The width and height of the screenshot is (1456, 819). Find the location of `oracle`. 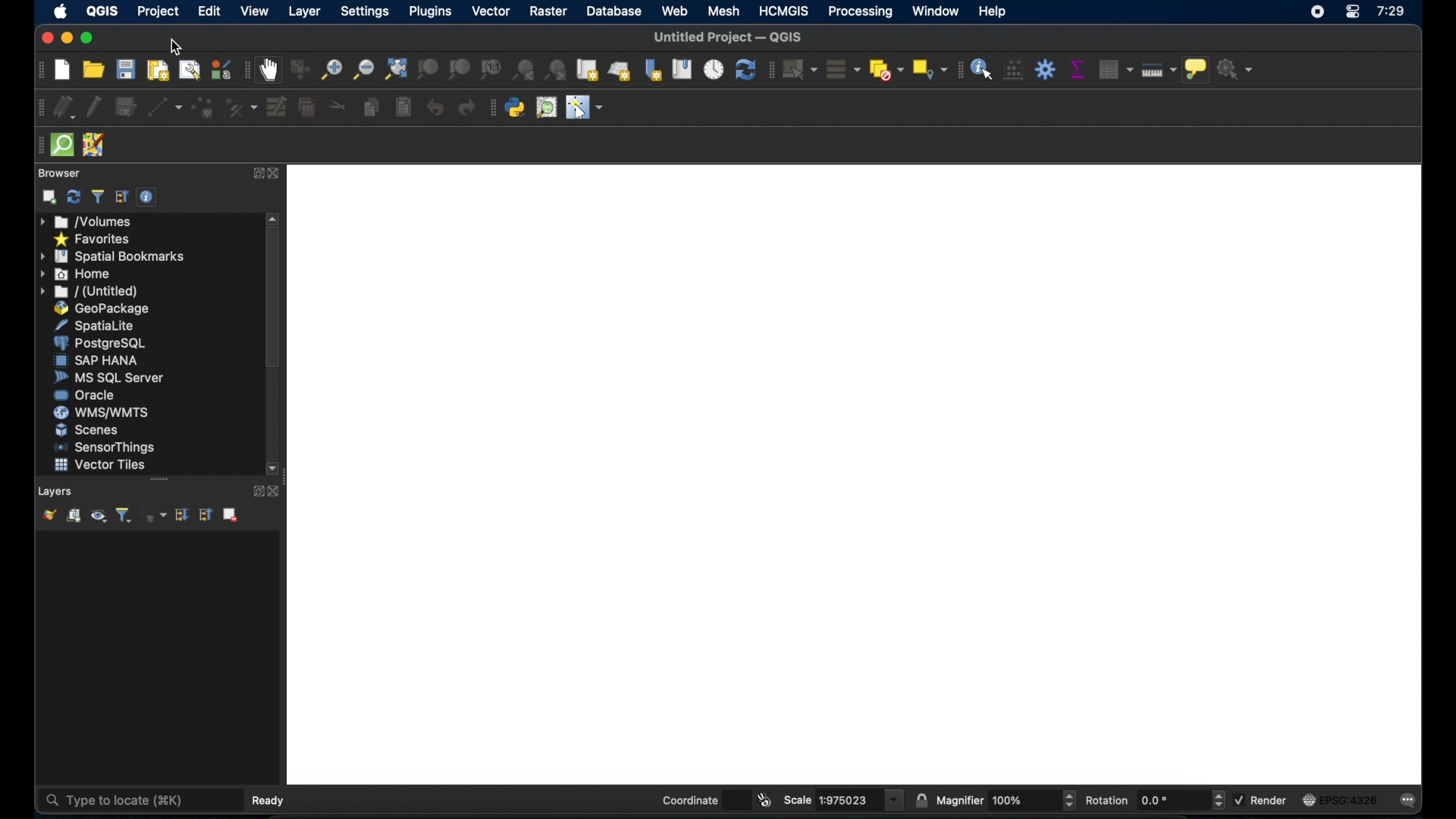

oracle is located at coordinates (85, 396).